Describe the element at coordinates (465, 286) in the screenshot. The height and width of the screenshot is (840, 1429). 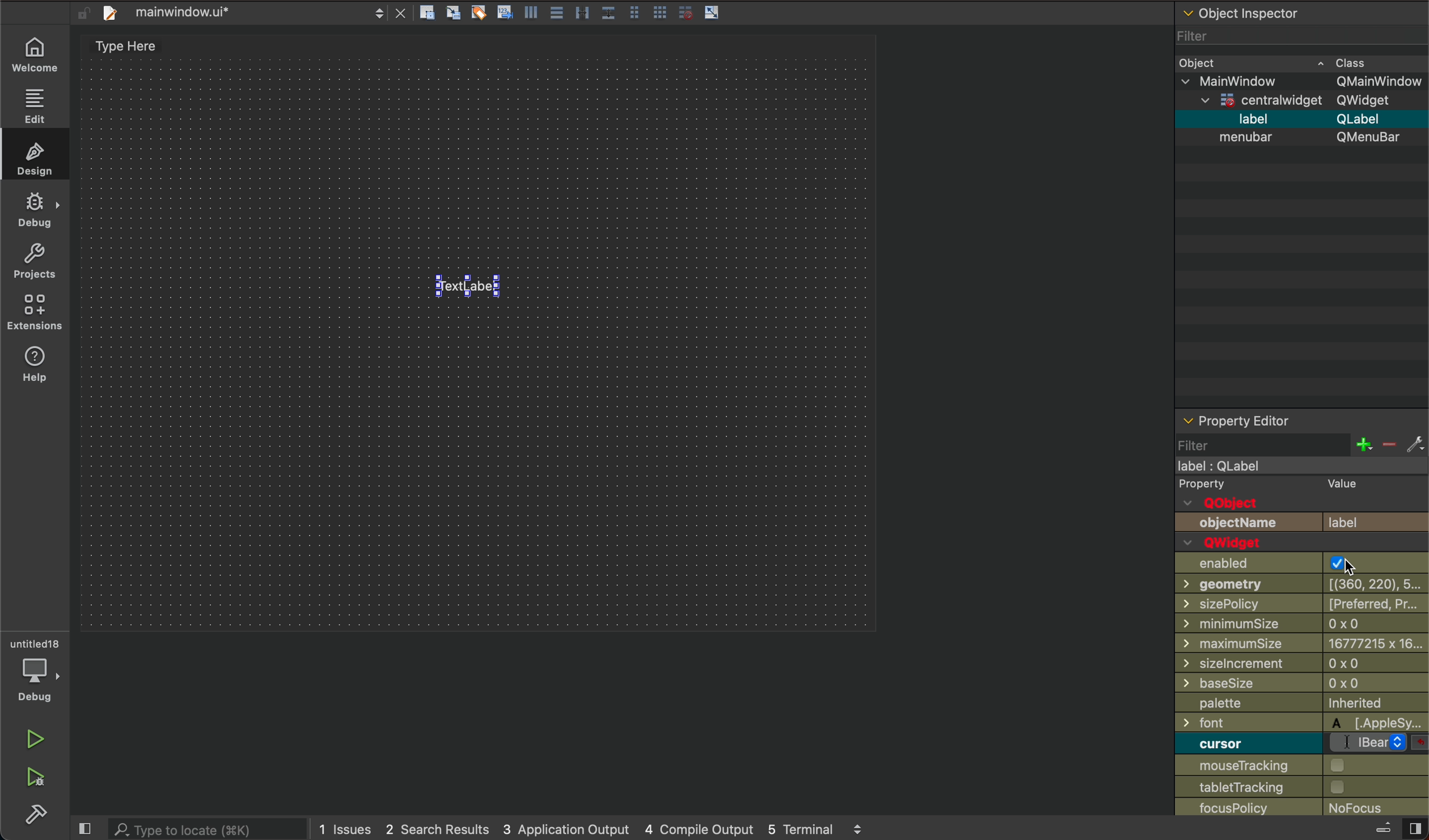
I see `text label` at that location.